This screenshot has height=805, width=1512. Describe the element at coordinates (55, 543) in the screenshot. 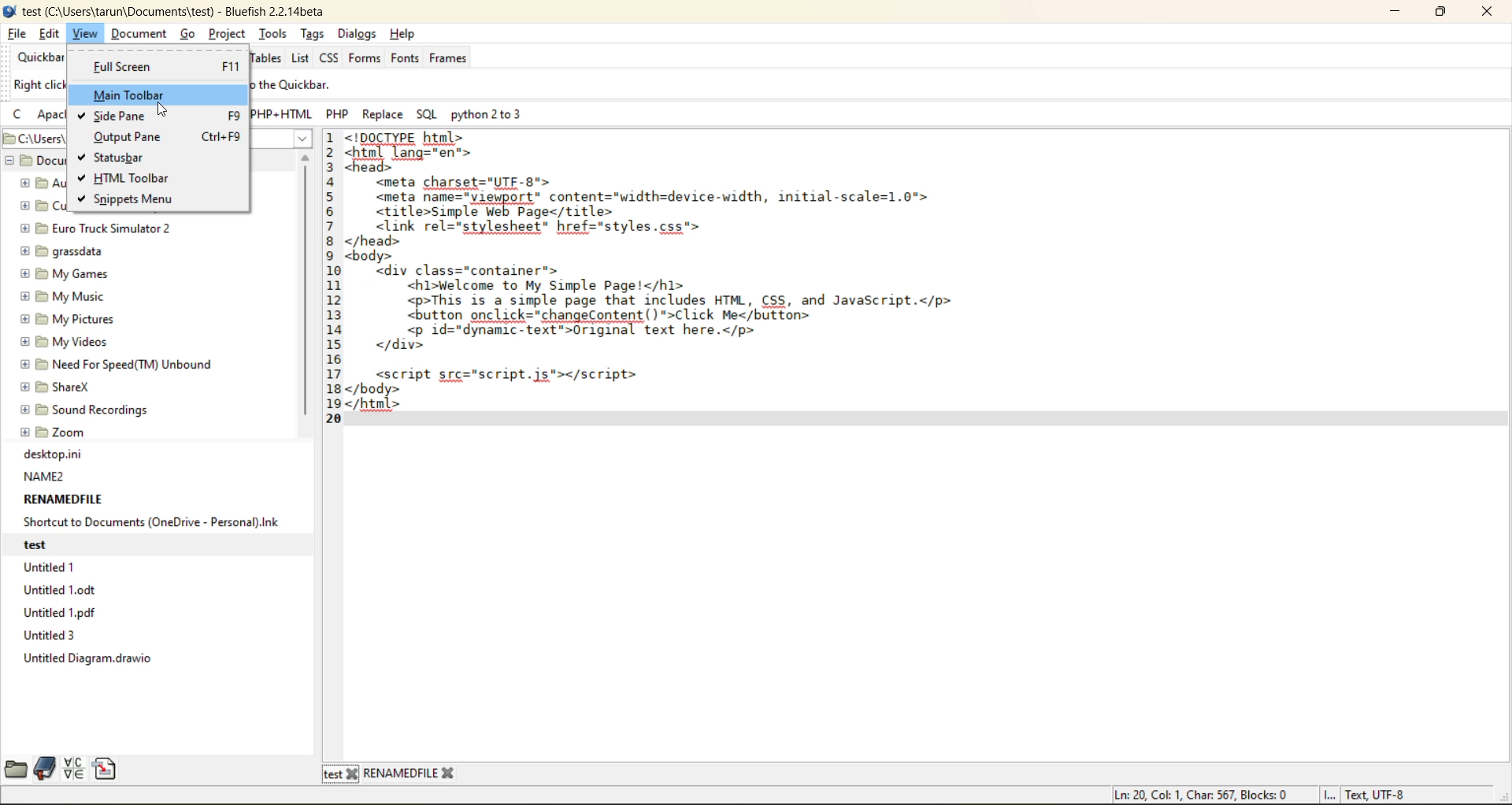

I see `test` at that location.